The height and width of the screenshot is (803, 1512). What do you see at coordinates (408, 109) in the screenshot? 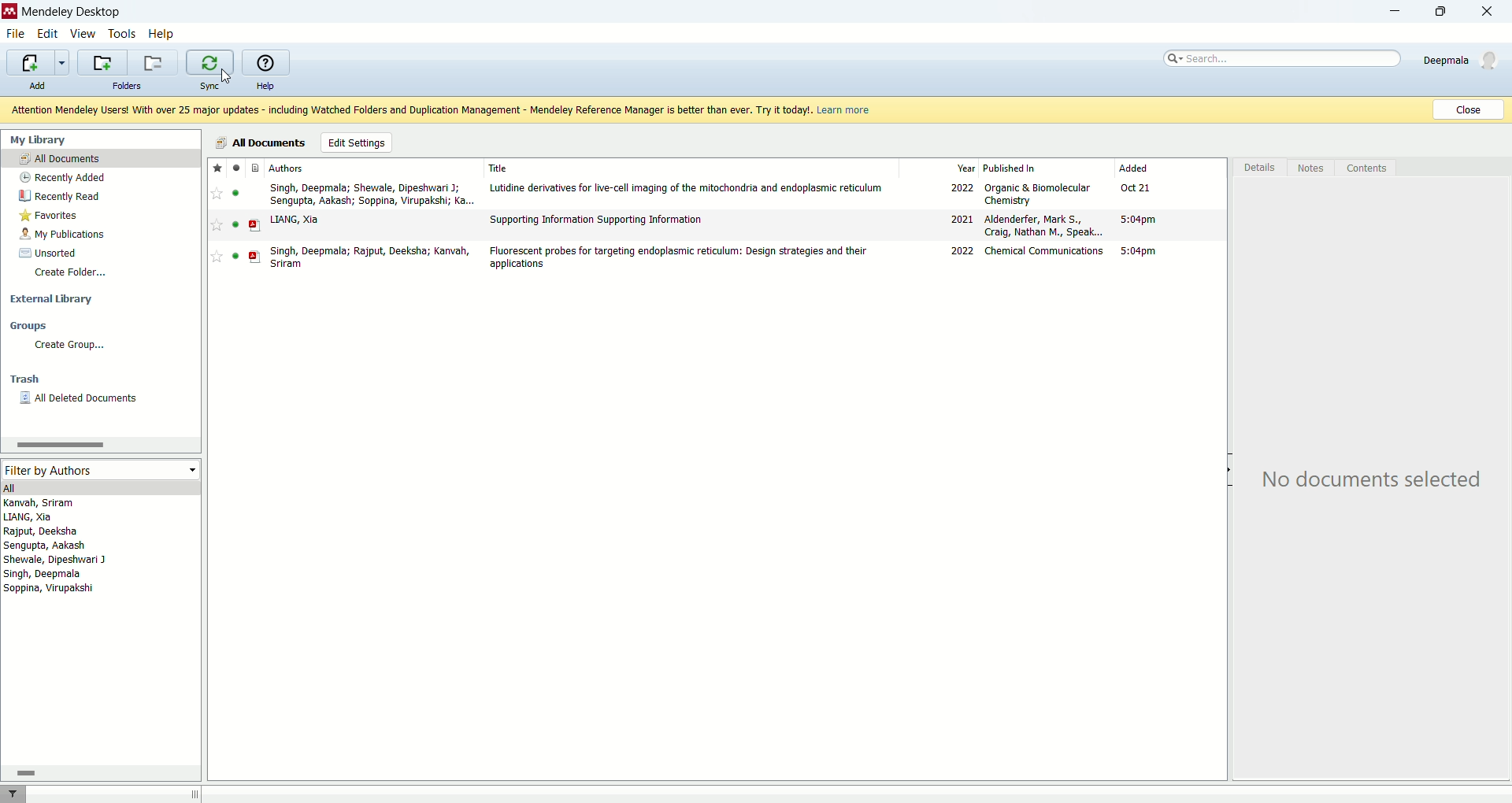
I see `Attention Mendeley Users! With over 25 major updates - including Watched Folders and Duplication Management - Mendeley Reference Manager is better than ever. Try it today!` at bounding box center [408, 109].